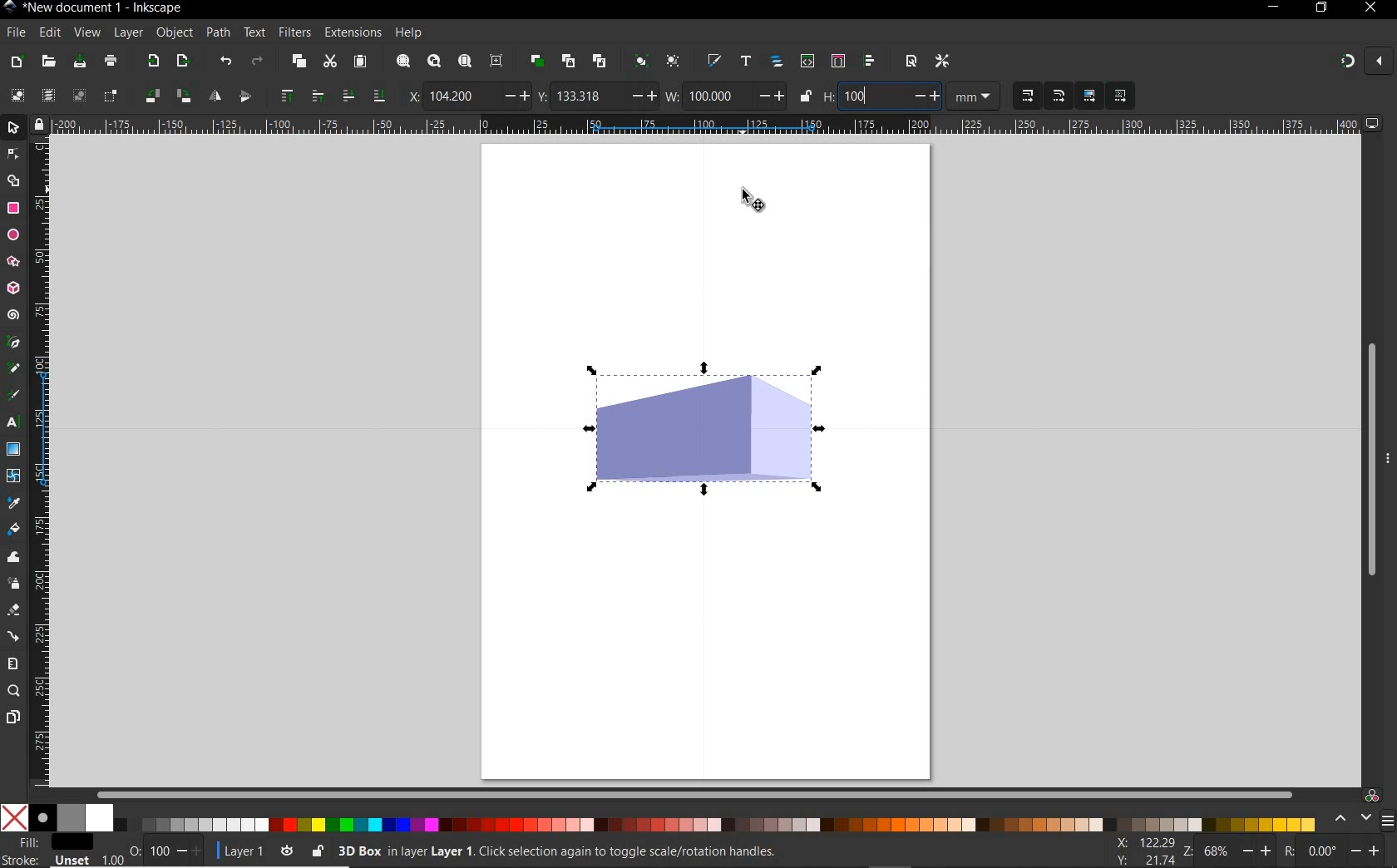  Describe the element at coordinates (536, 62) in the screenshot. I see `duplicate` at that location.